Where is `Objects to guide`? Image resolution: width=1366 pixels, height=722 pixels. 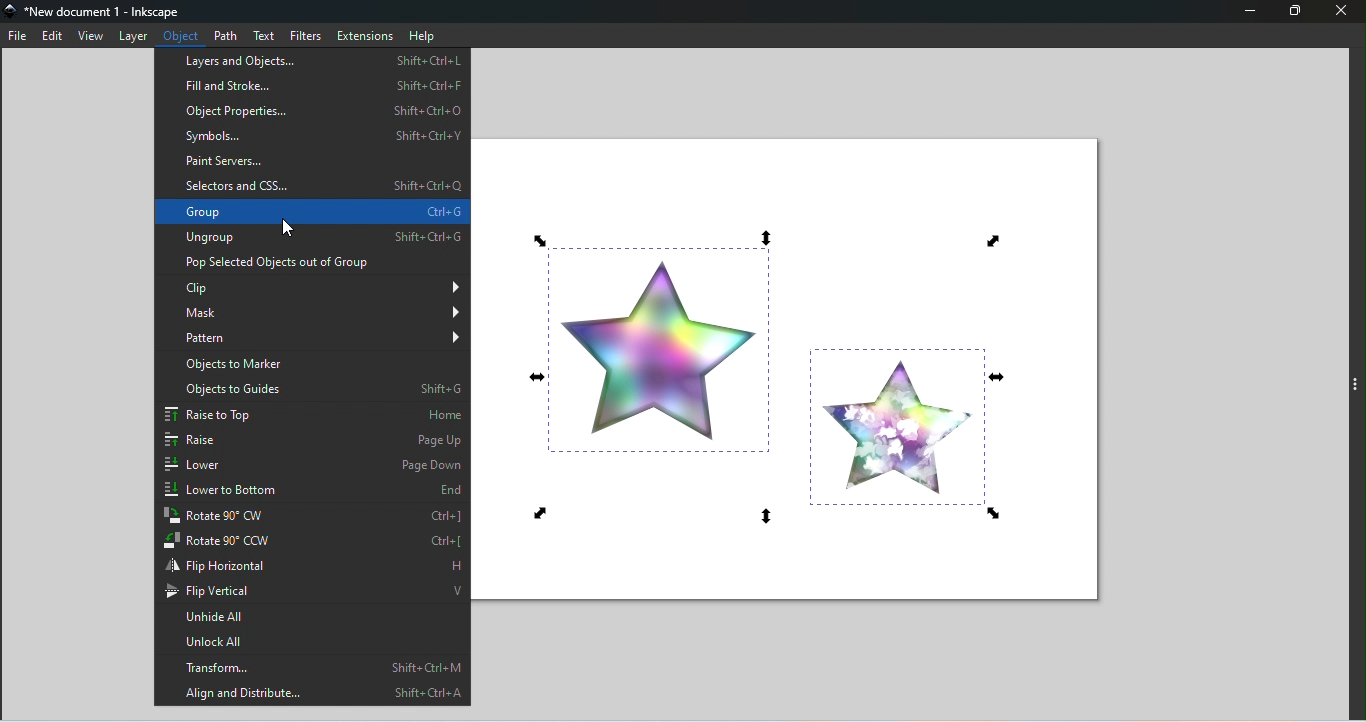
Objects to guide is located at coordinates (312, 391).